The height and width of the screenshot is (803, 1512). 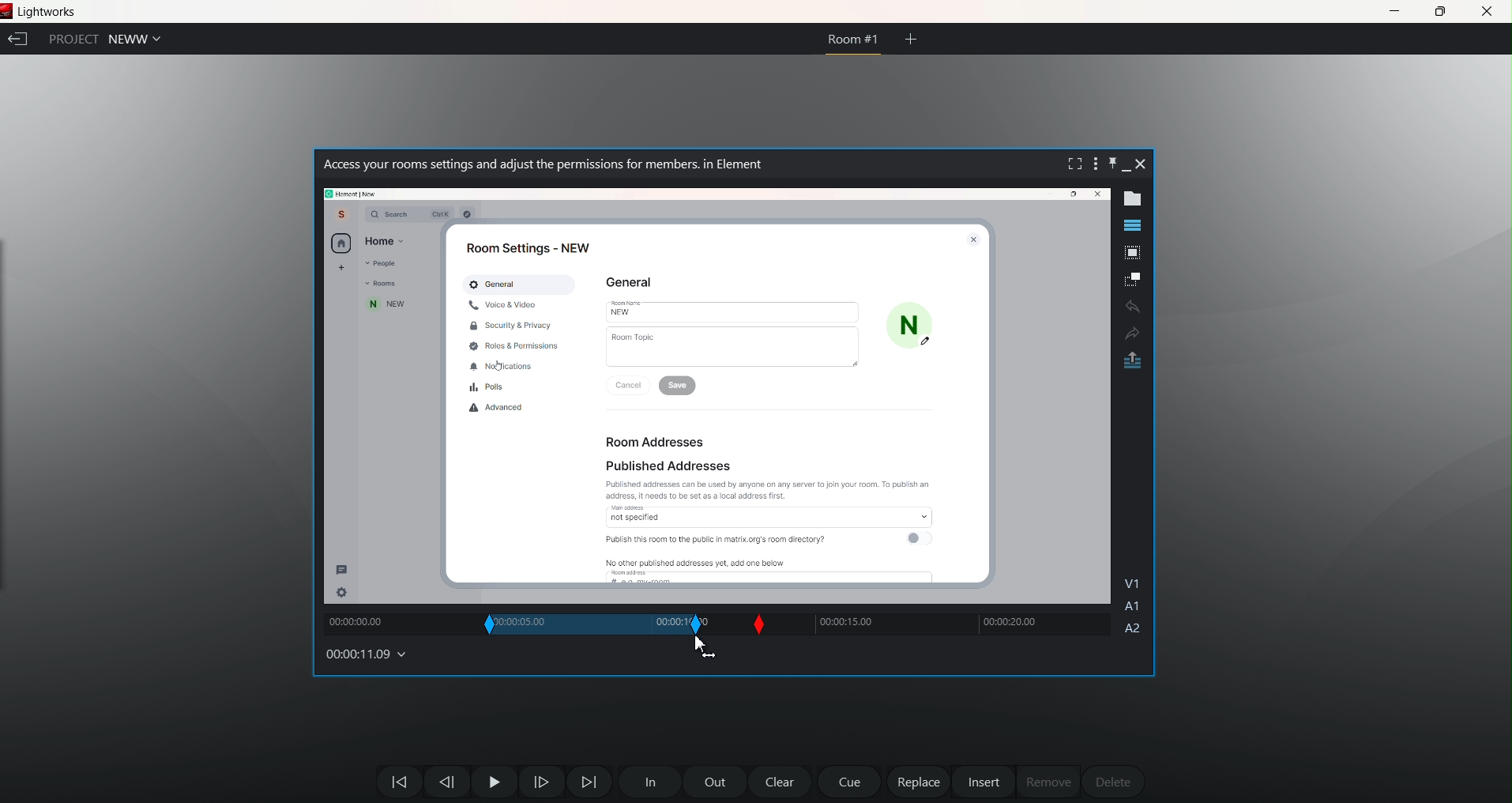 I want to click on remove, so click(x=1046, y=780).